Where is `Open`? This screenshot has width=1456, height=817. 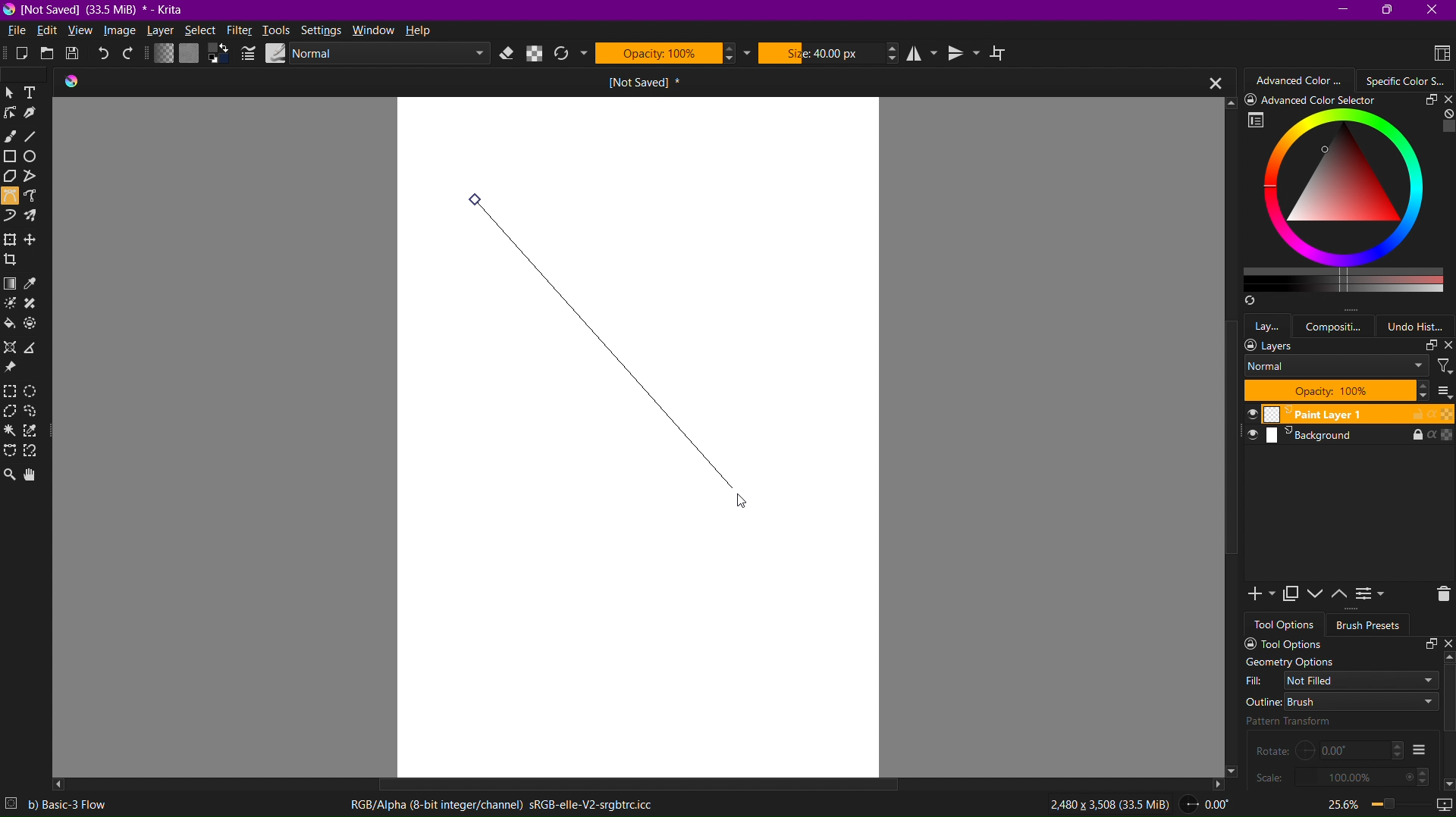 Open is located at coordinates (45, 55).